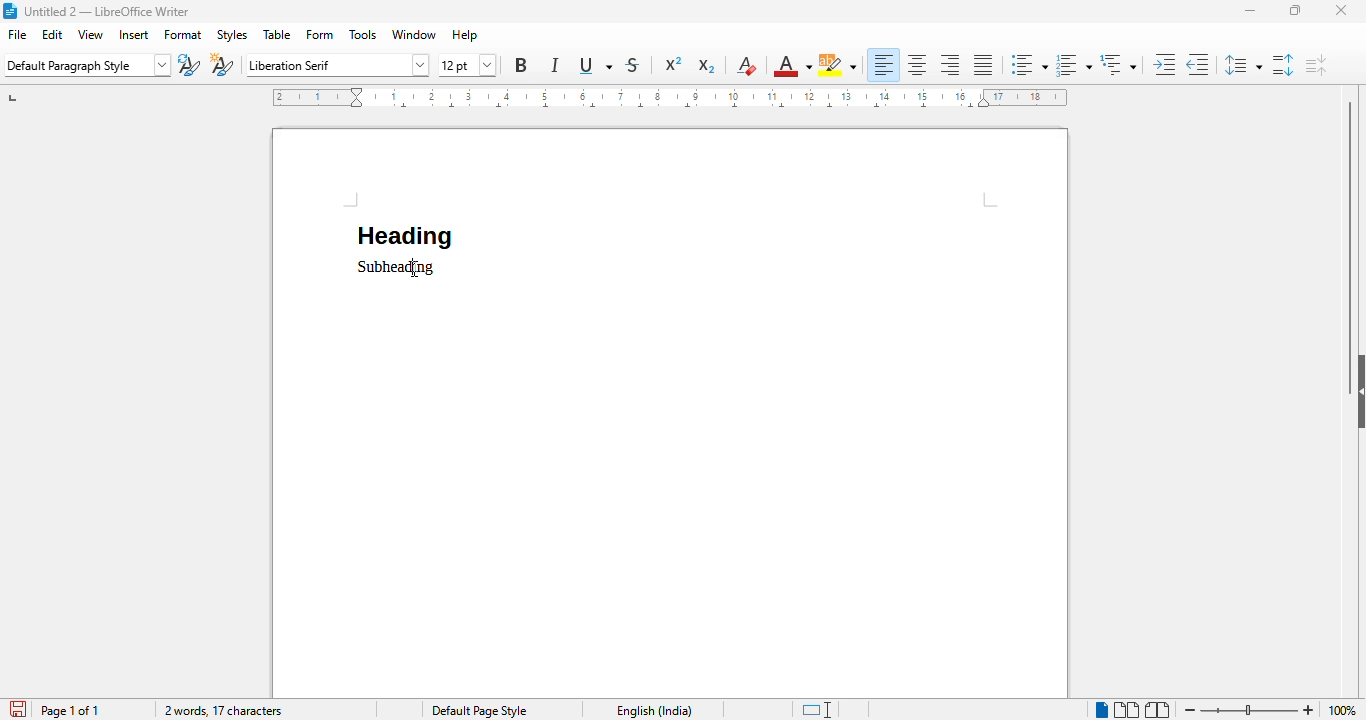  What do you see at coordinates (70, 710) in the screenshot?
I see `page 1 of 1` at bounding box center [70, 710].